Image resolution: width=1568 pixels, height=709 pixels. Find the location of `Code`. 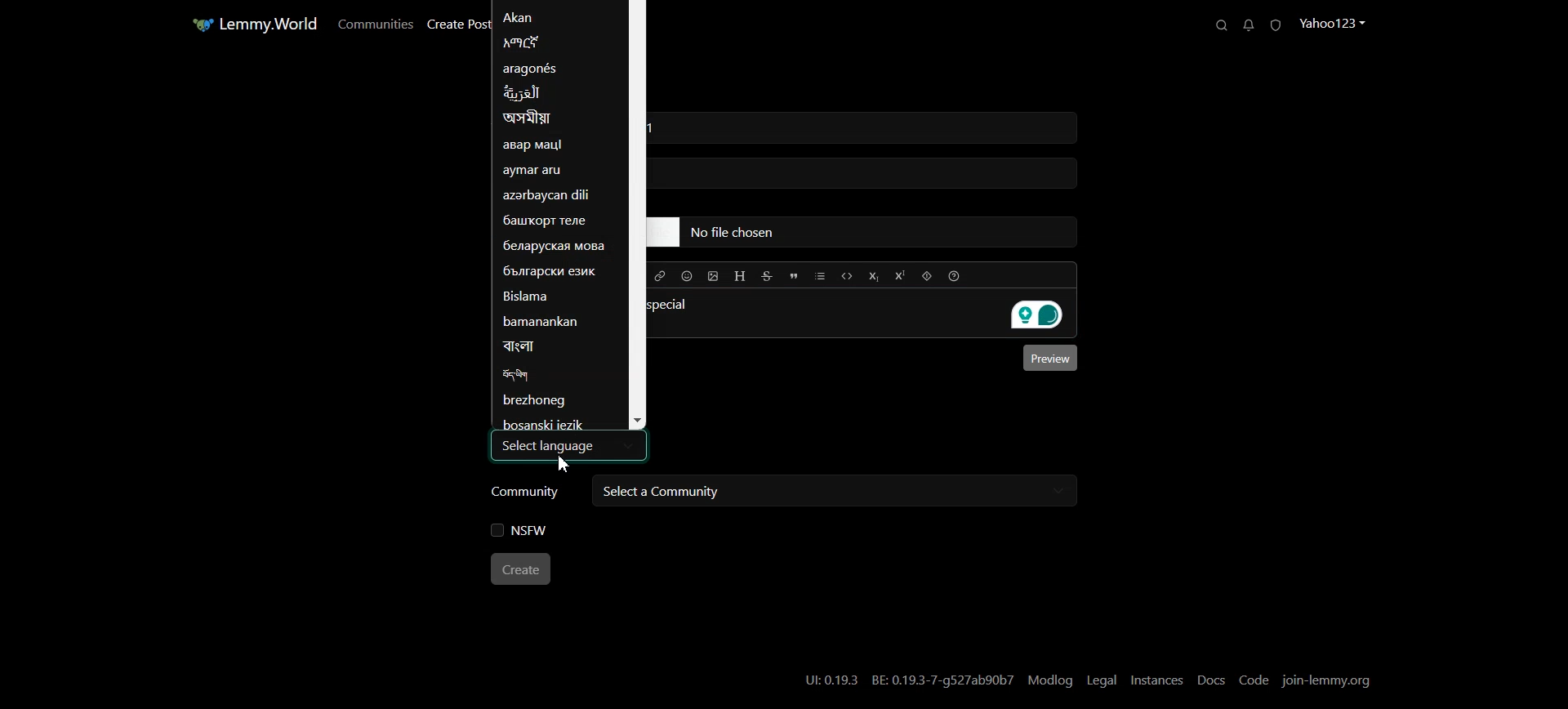

Code is located at coordinates (848, 275).